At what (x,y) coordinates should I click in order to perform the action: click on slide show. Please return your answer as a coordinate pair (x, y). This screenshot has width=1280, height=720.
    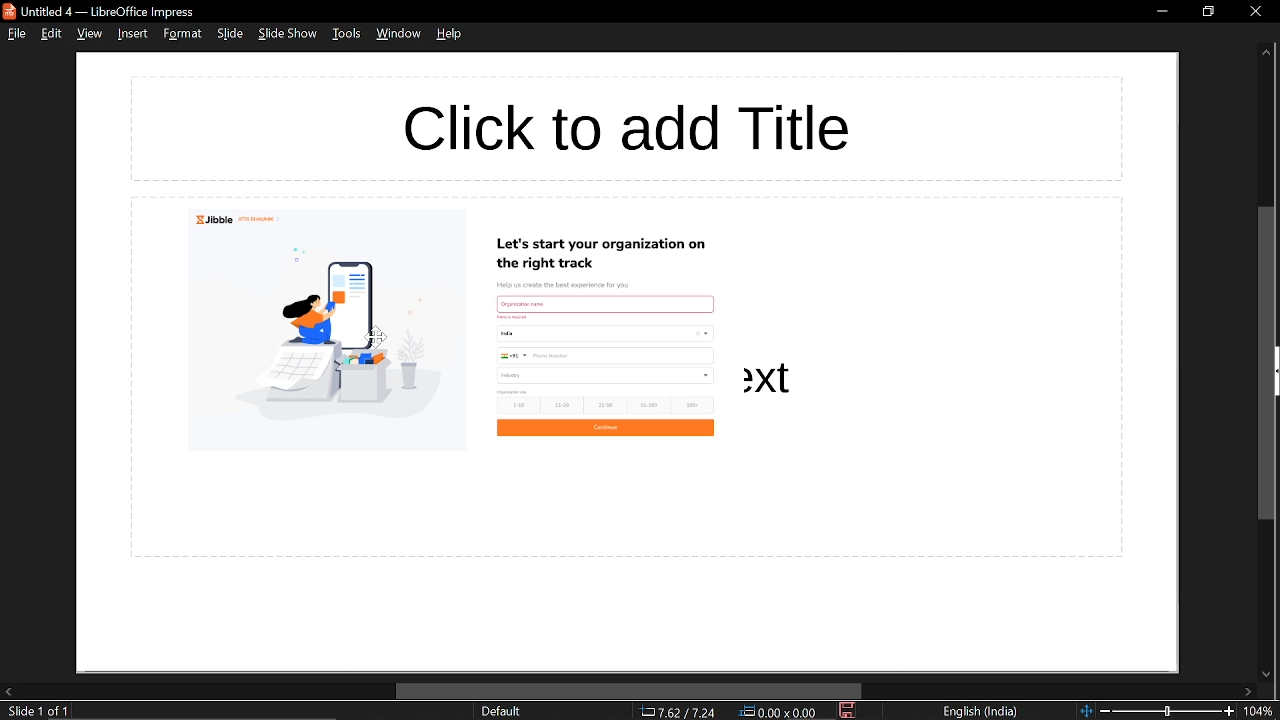
    Looking at the image, I should click on (288, 34).